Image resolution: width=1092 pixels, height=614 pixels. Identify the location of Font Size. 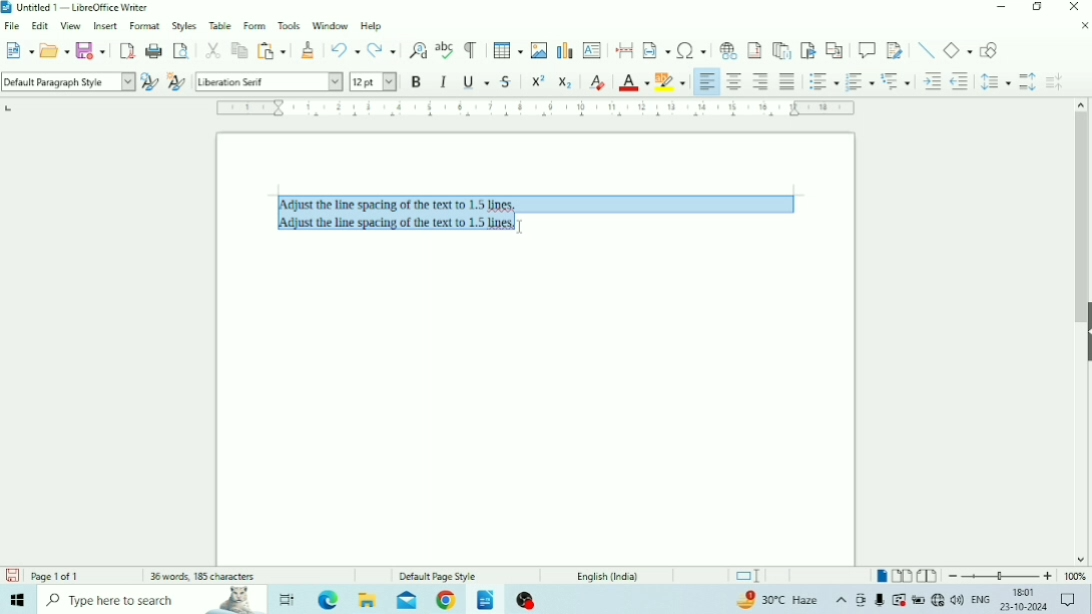
(373, 81).